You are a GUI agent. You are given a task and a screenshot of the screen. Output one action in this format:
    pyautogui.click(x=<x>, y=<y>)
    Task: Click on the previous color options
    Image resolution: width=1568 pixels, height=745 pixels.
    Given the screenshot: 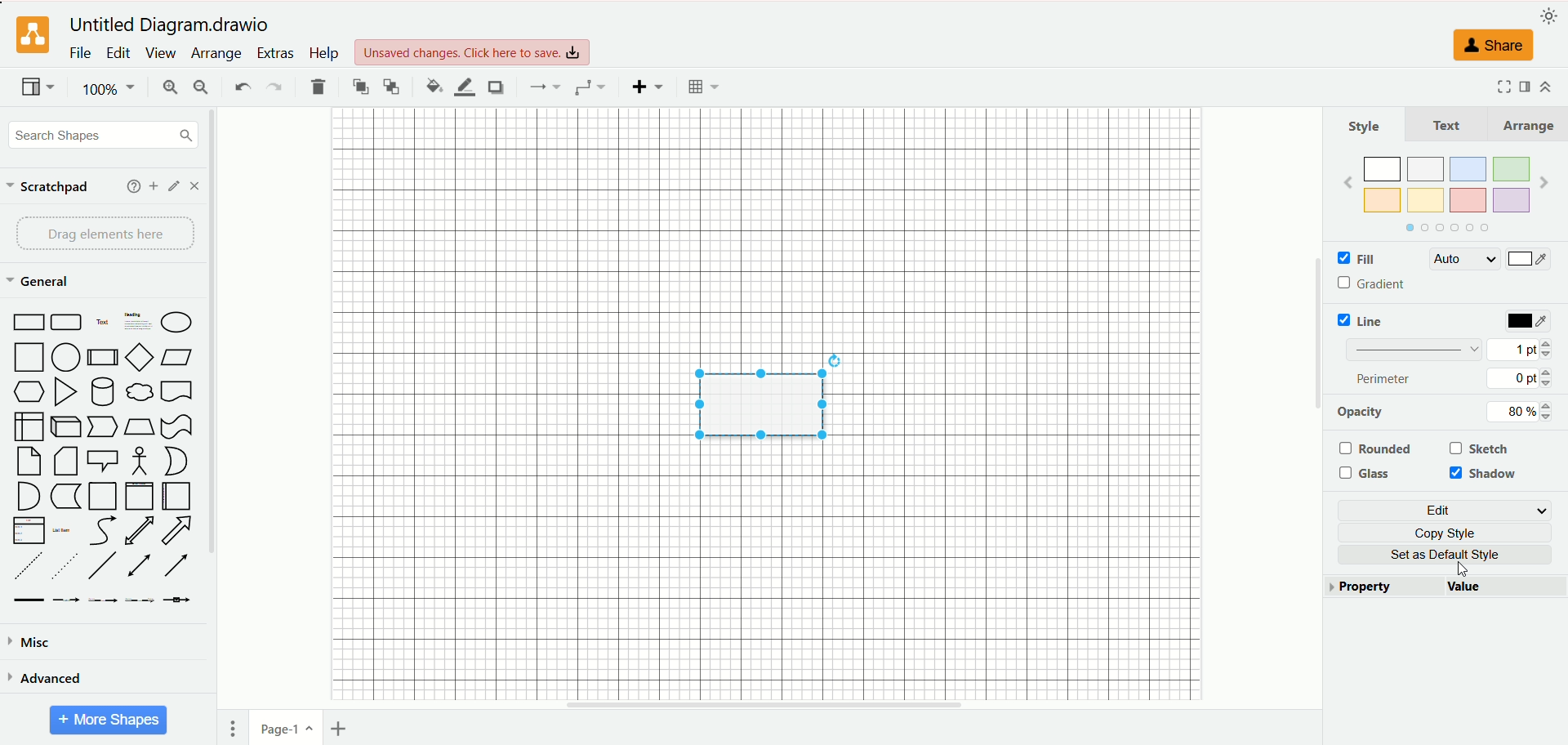 What is the action you would take?
    pyautogui.click(x=1347, y=182)
    